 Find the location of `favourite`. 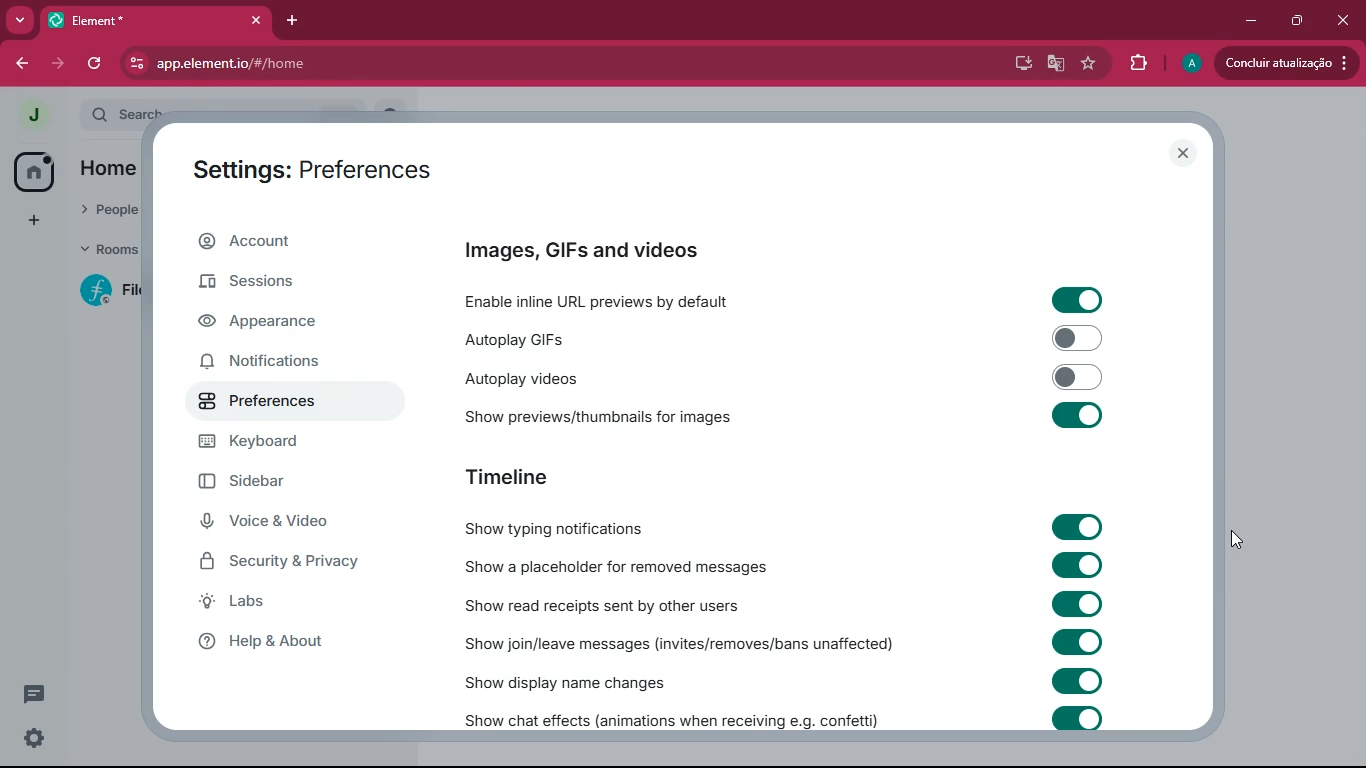

favourite is located at coordinates (1089, 64).